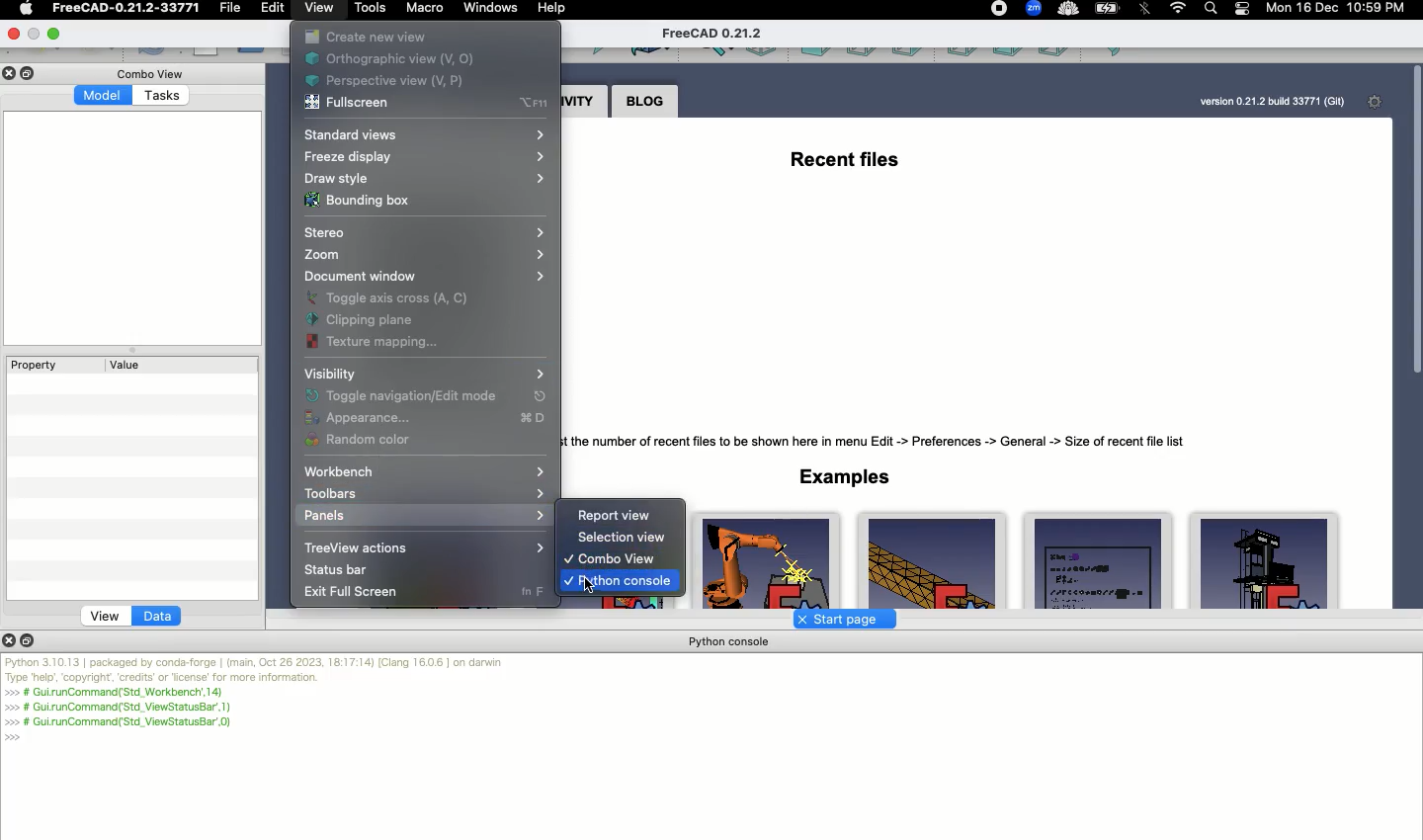  Describe the element at coordinates (1272, 102) in the screenshot. I see `version 0.21.2 build 33771 (Git)` at that location.